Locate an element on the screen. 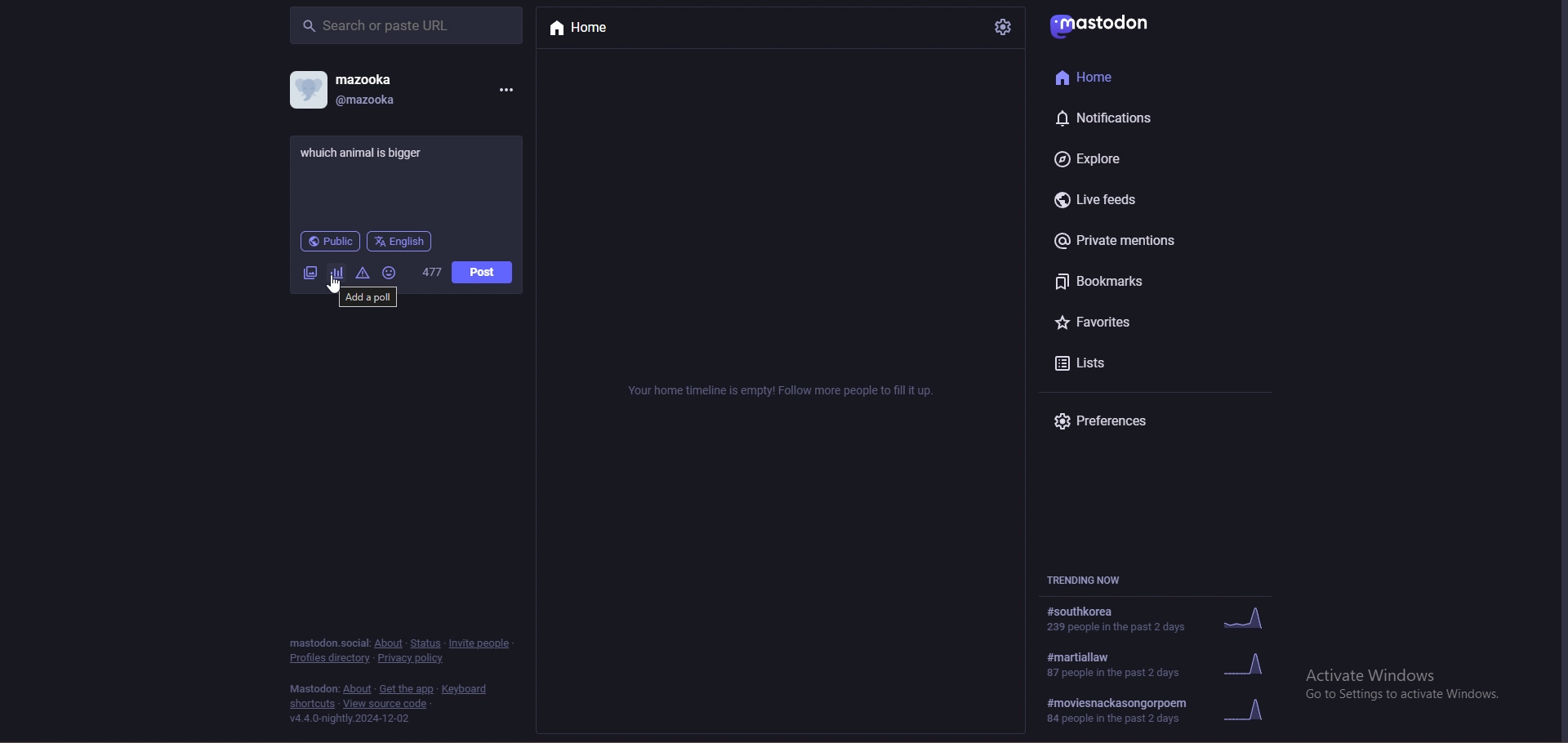  about is located at coordinates (390, 643).